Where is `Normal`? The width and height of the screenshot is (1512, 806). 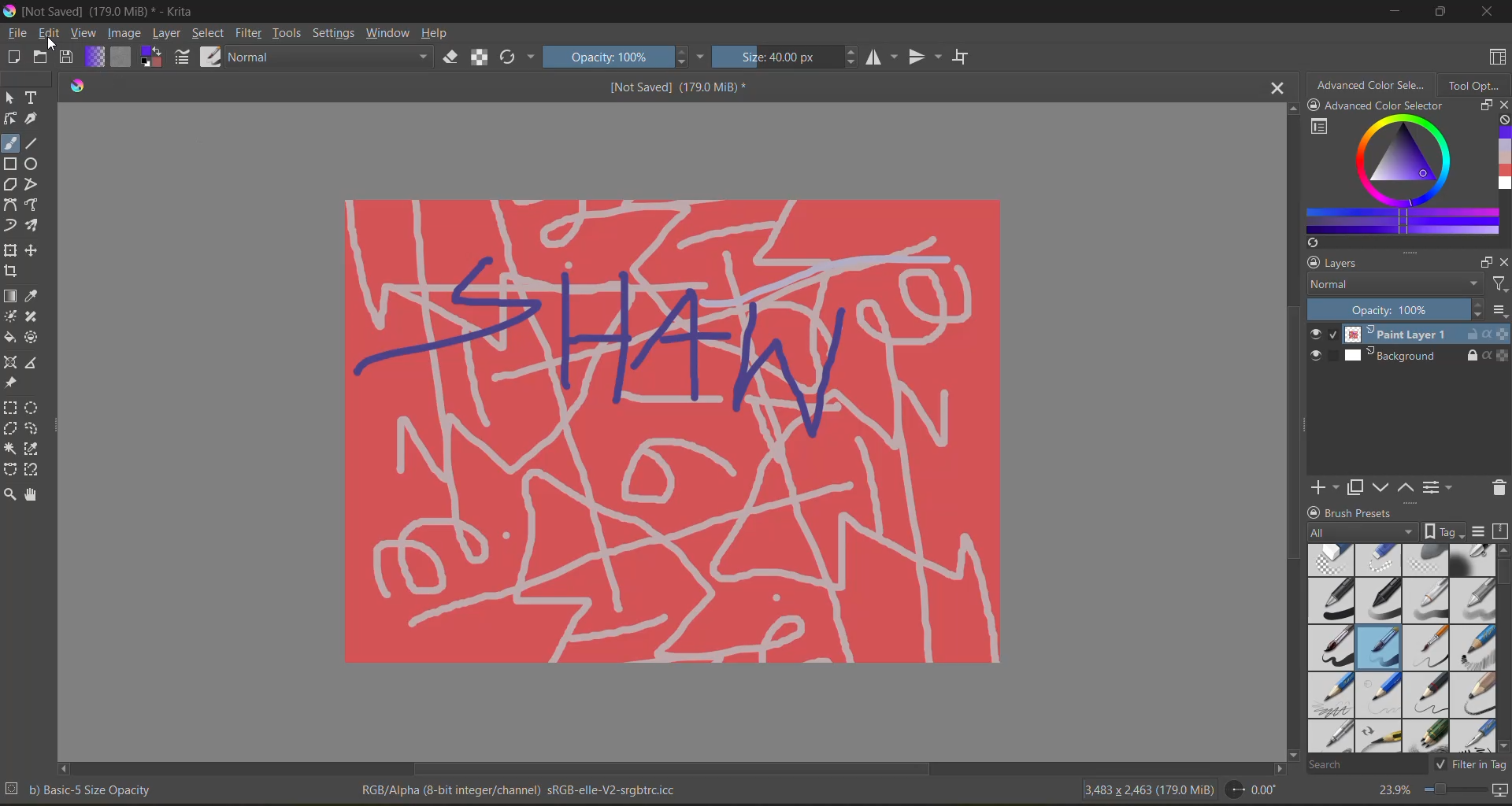
Normal is located at coordinates (332, 57).